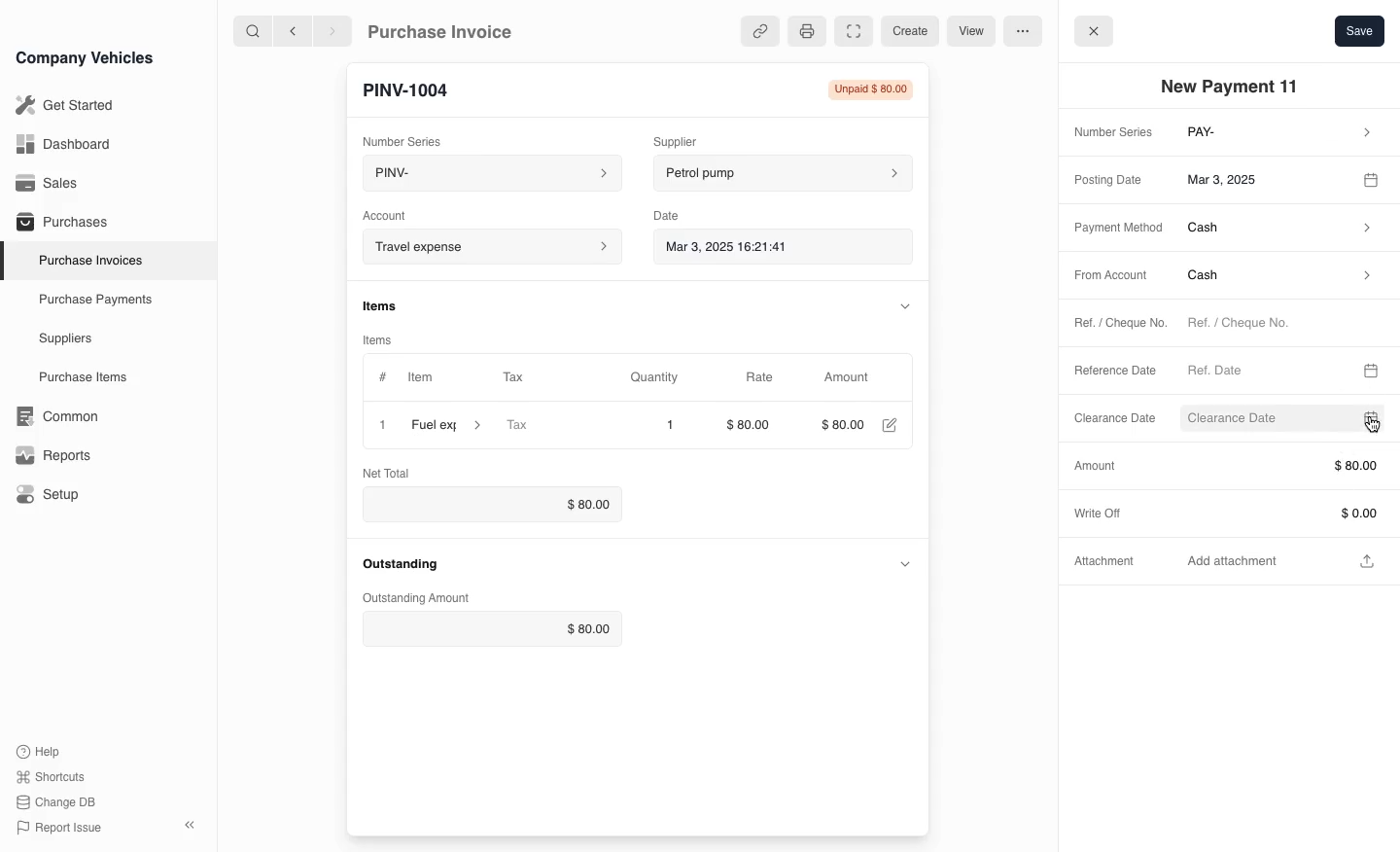 The width and height of the screenshot is (1400, 852). I want to click on 0.00, so click(1279, 513).